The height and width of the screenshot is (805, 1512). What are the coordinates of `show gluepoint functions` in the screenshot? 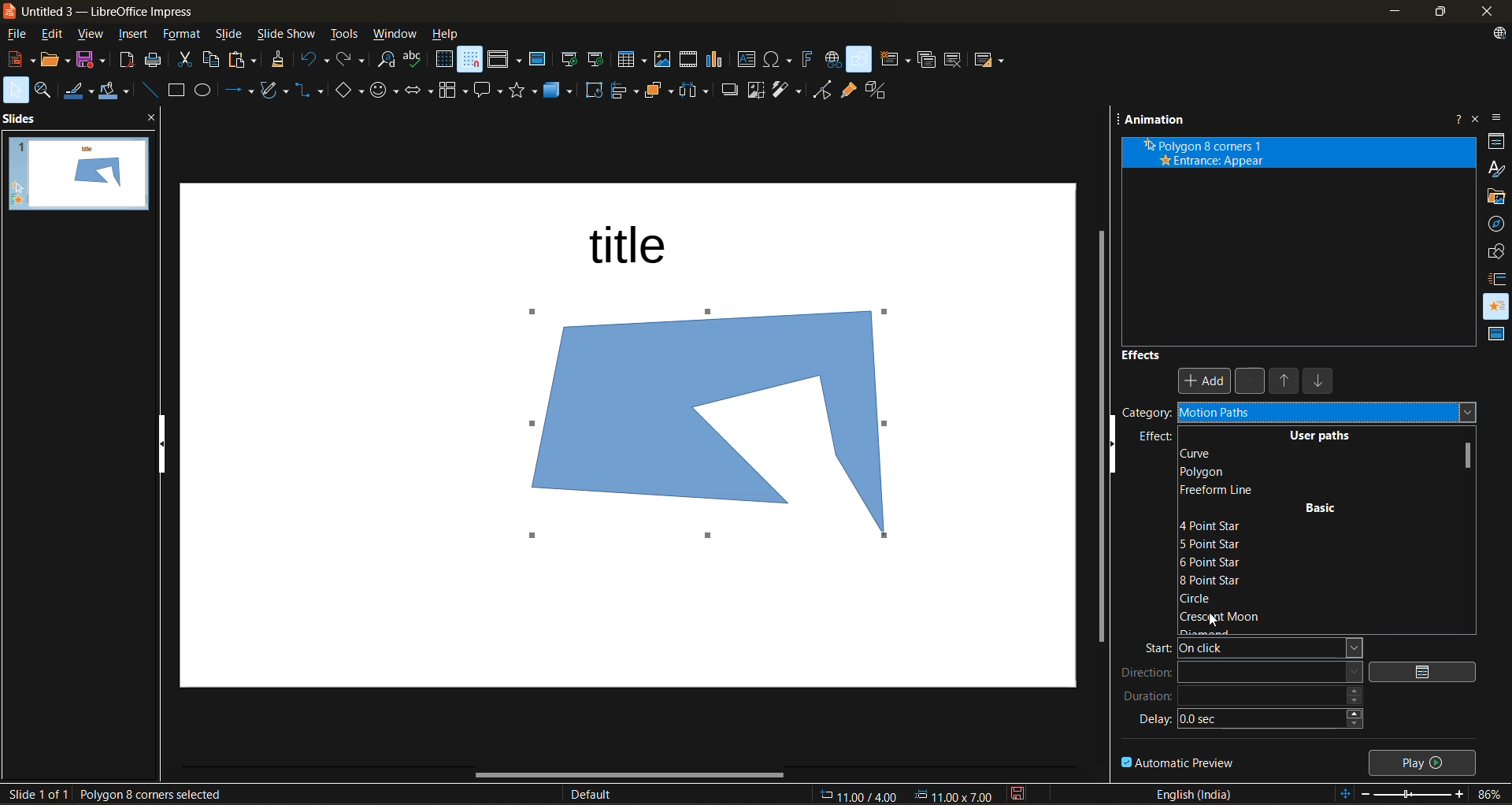 It's located at (848, 91).